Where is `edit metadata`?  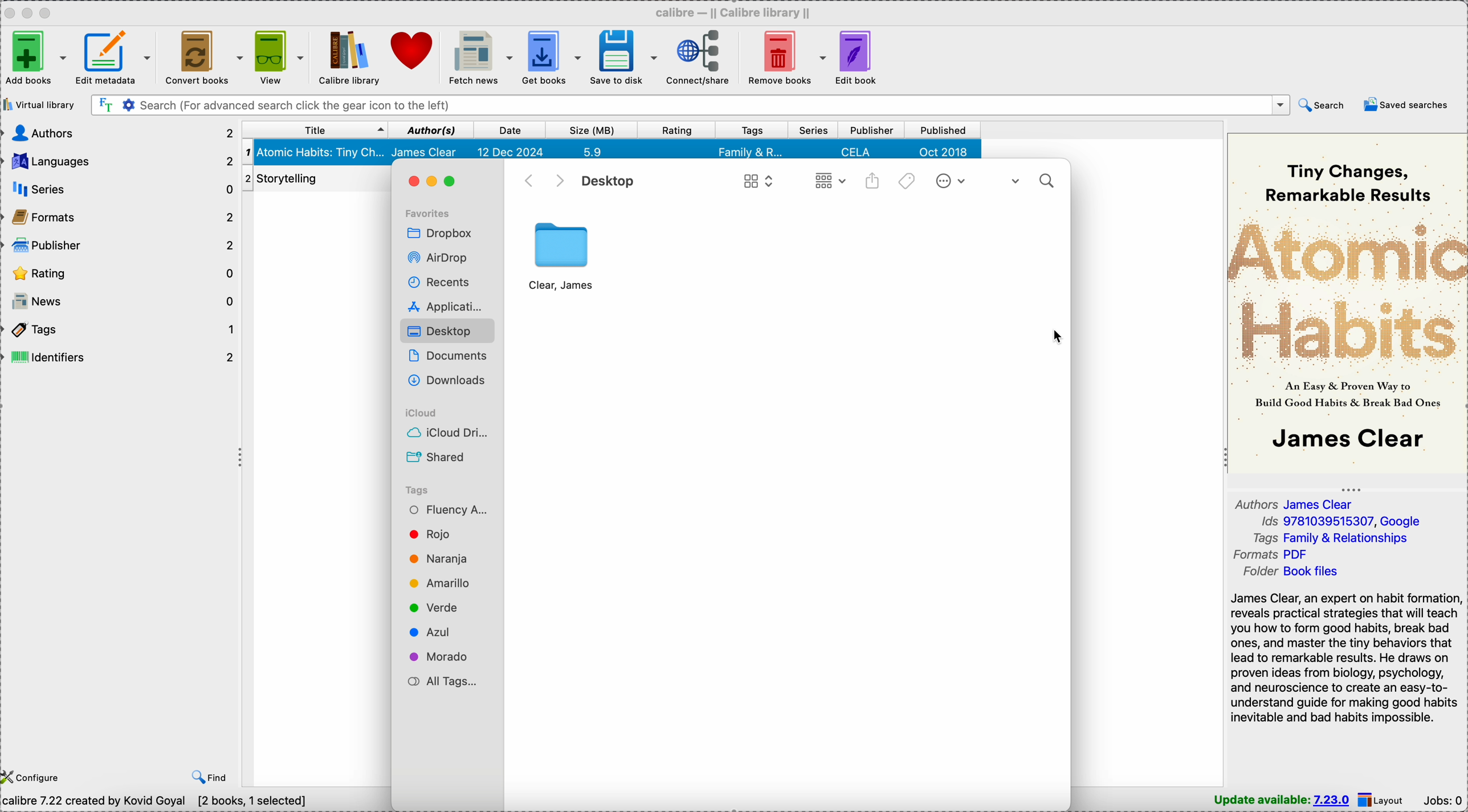
edit metadata is located at coordinates (119, 58).